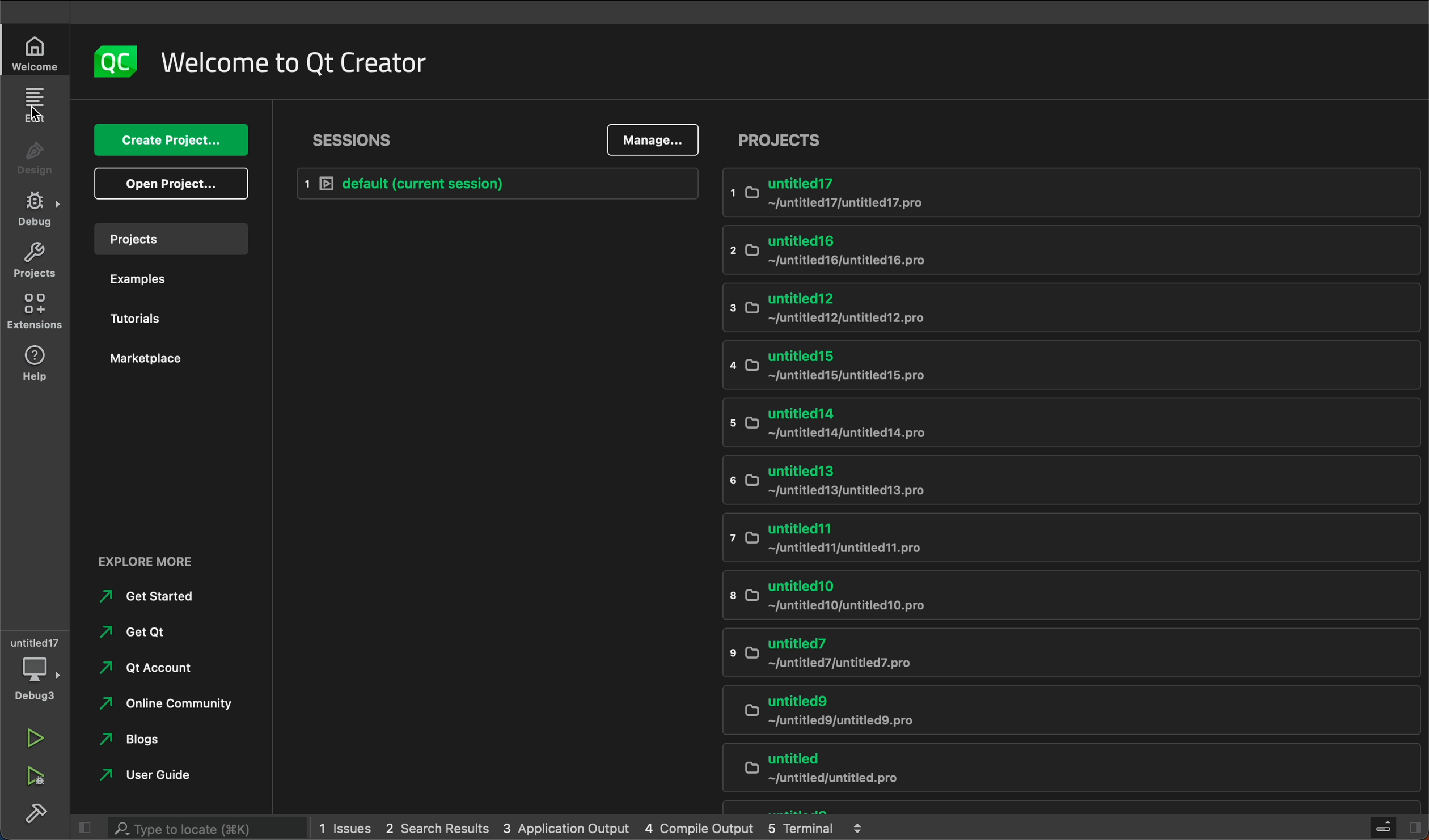 The width and height of the screenshot is (1429, 840). I want to click on untitled13, so click(1047, 481).